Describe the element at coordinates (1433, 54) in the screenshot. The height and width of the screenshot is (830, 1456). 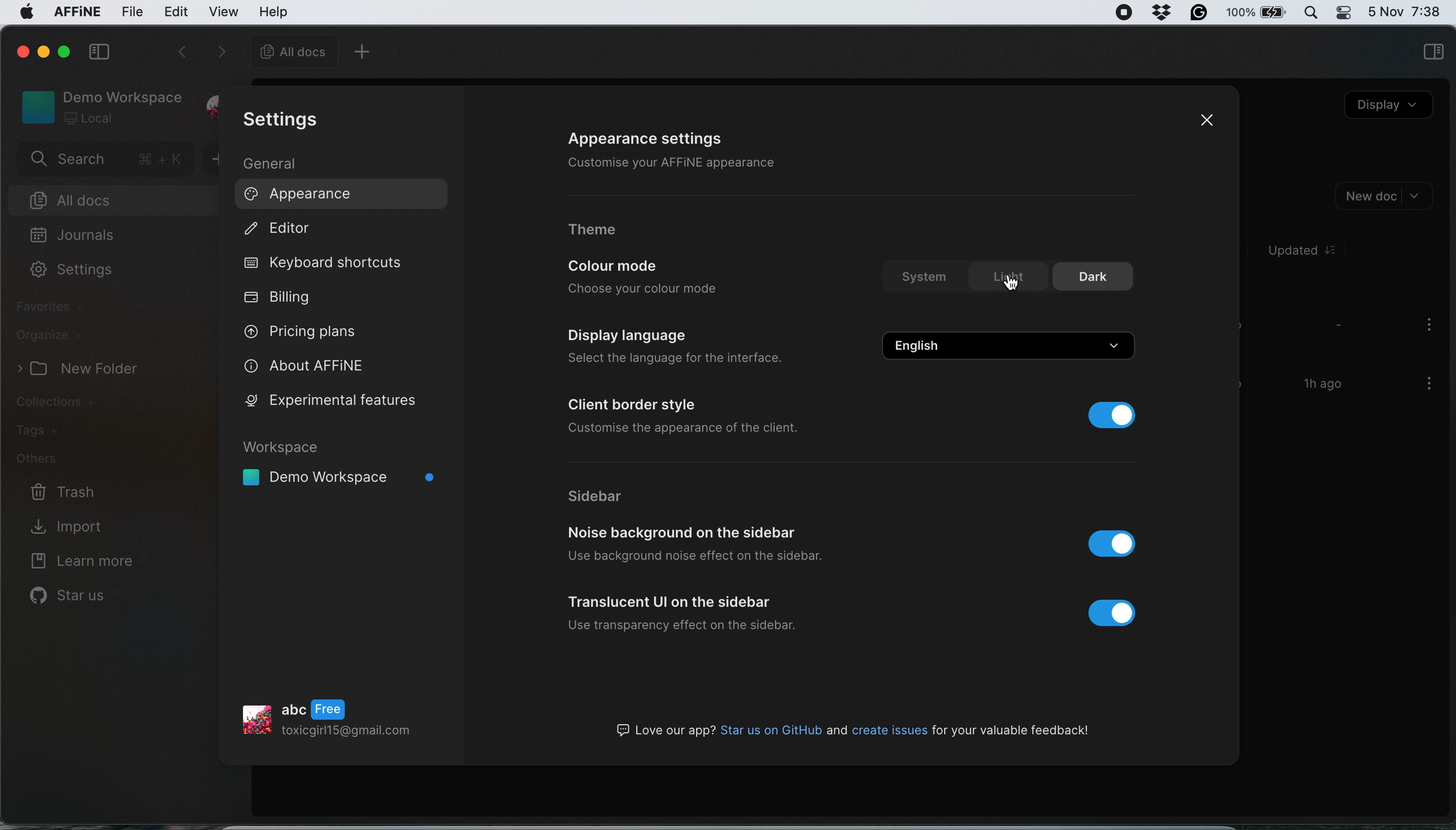
I see `sidebar` at that location.